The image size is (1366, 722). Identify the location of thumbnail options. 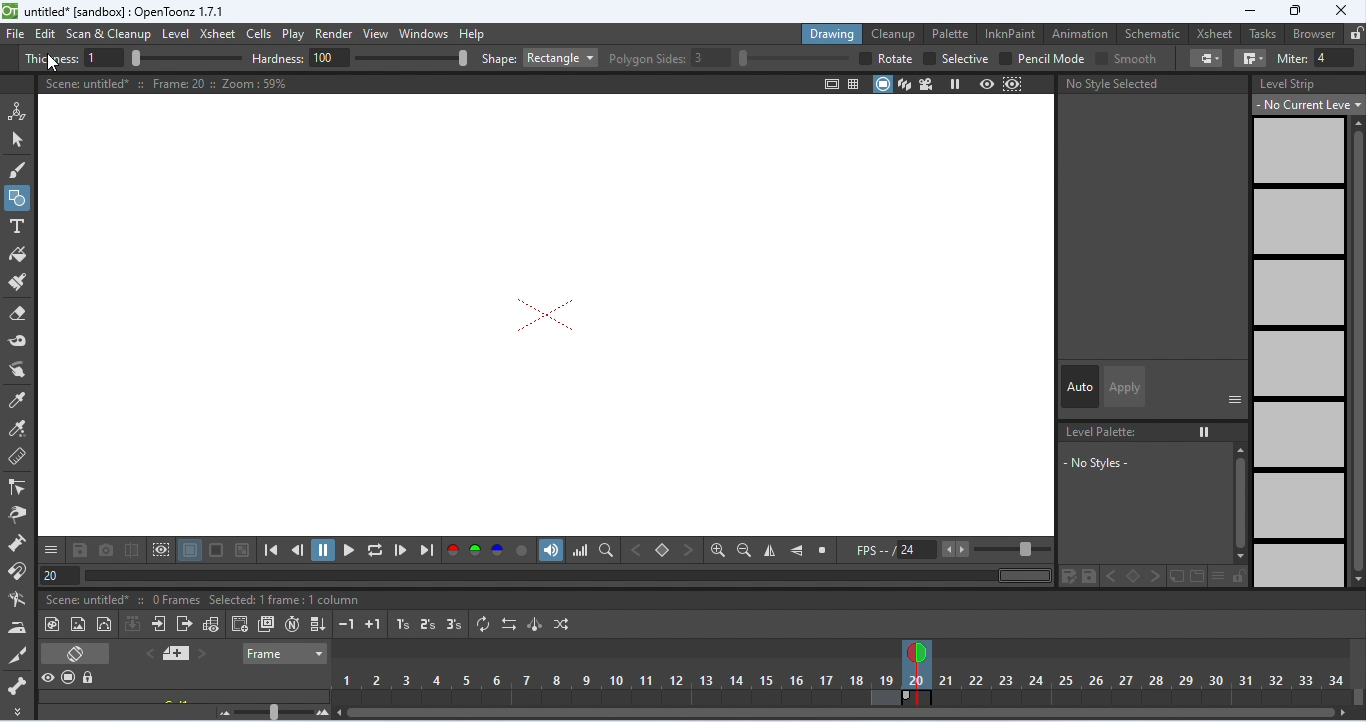
(1217, 576).